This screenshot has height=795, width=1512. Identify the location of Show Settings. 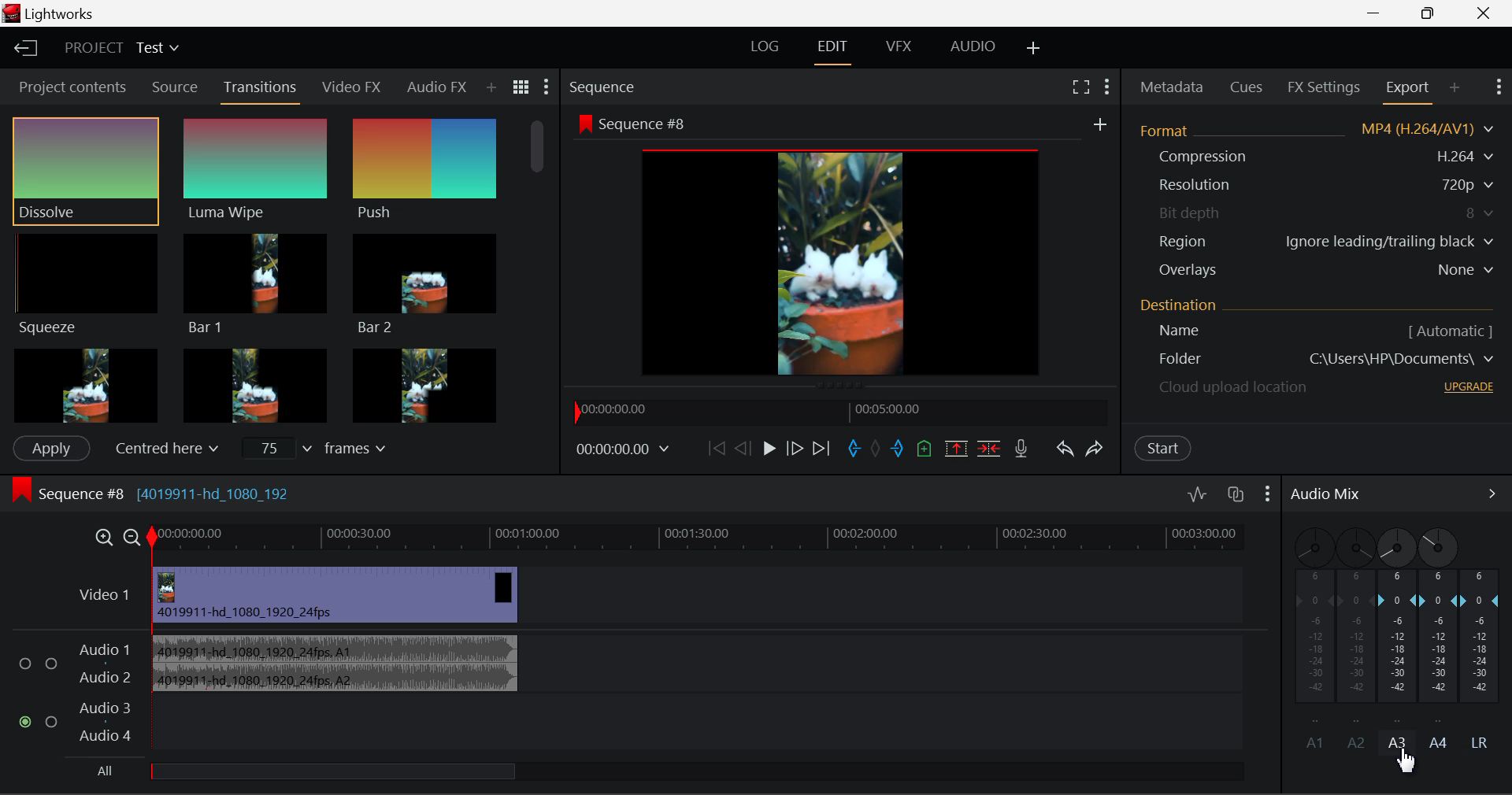
(547, 88).